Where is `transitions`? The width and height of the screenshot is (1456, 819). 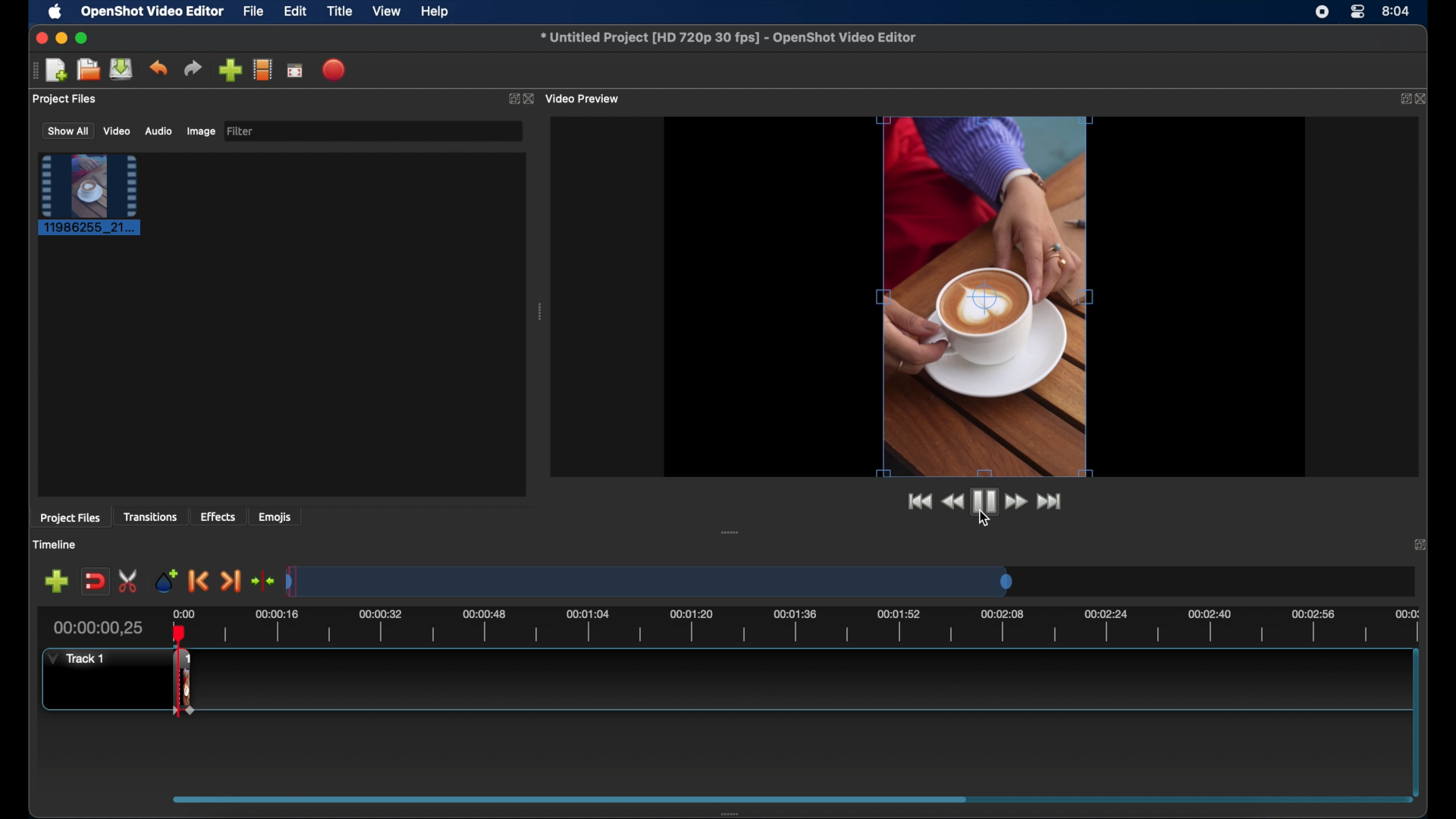
transitions is located at coordinates (150, 518).